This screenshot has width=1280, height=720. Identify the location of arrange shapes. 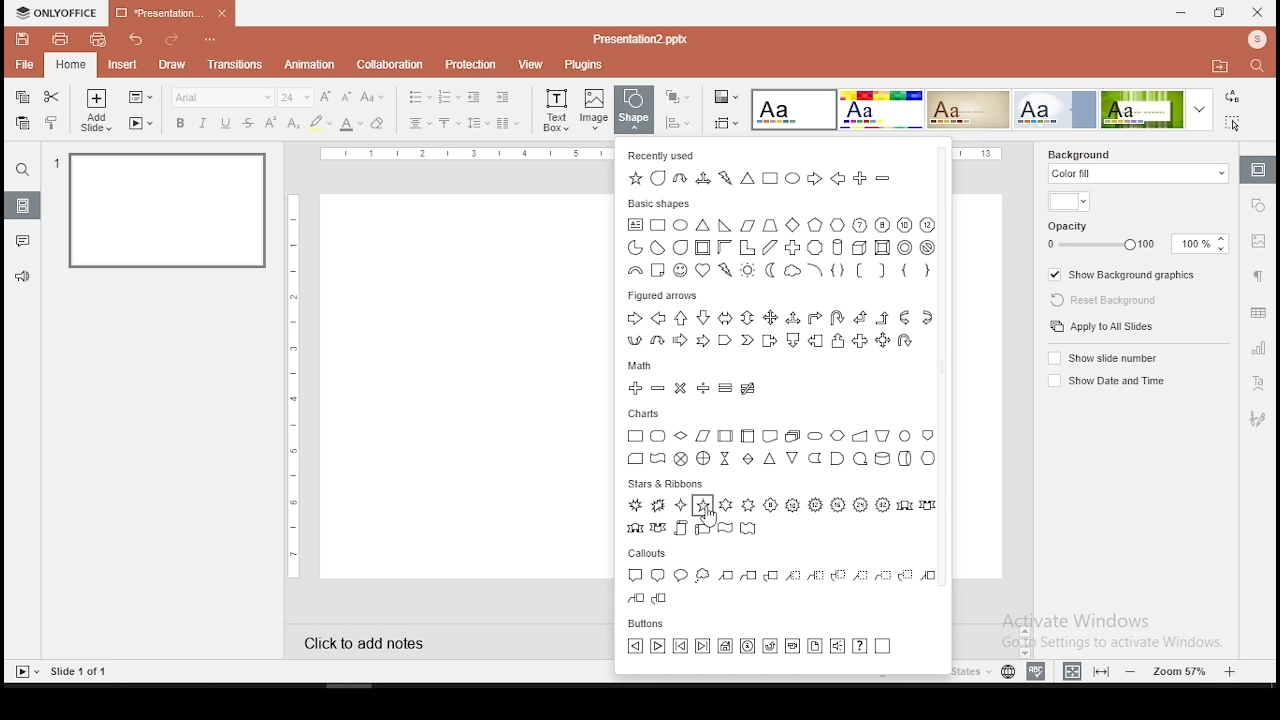
(676, 97).